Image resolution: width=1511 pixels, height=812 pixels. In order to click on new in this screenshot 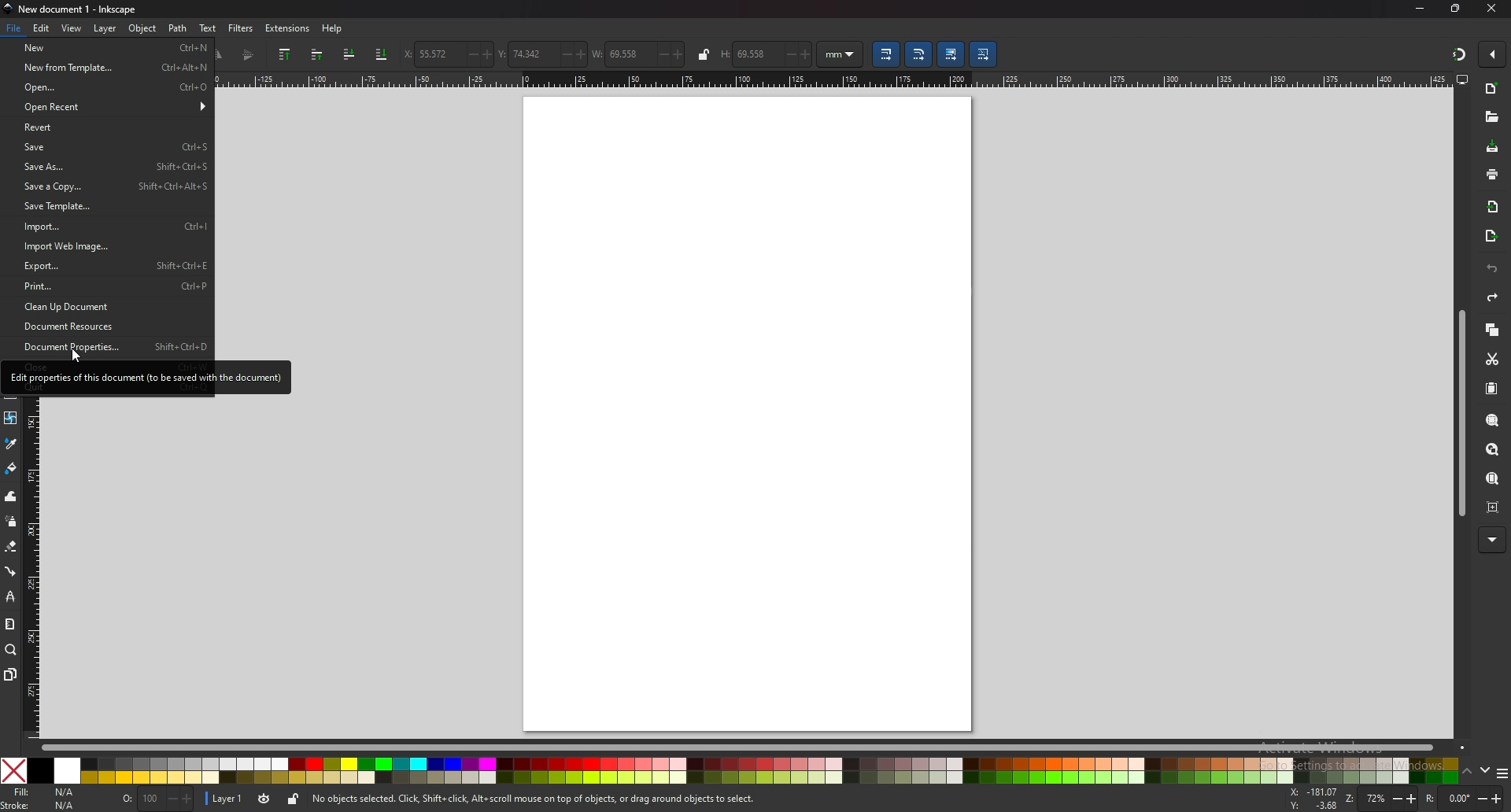, I will do `click(1492, 89)`.